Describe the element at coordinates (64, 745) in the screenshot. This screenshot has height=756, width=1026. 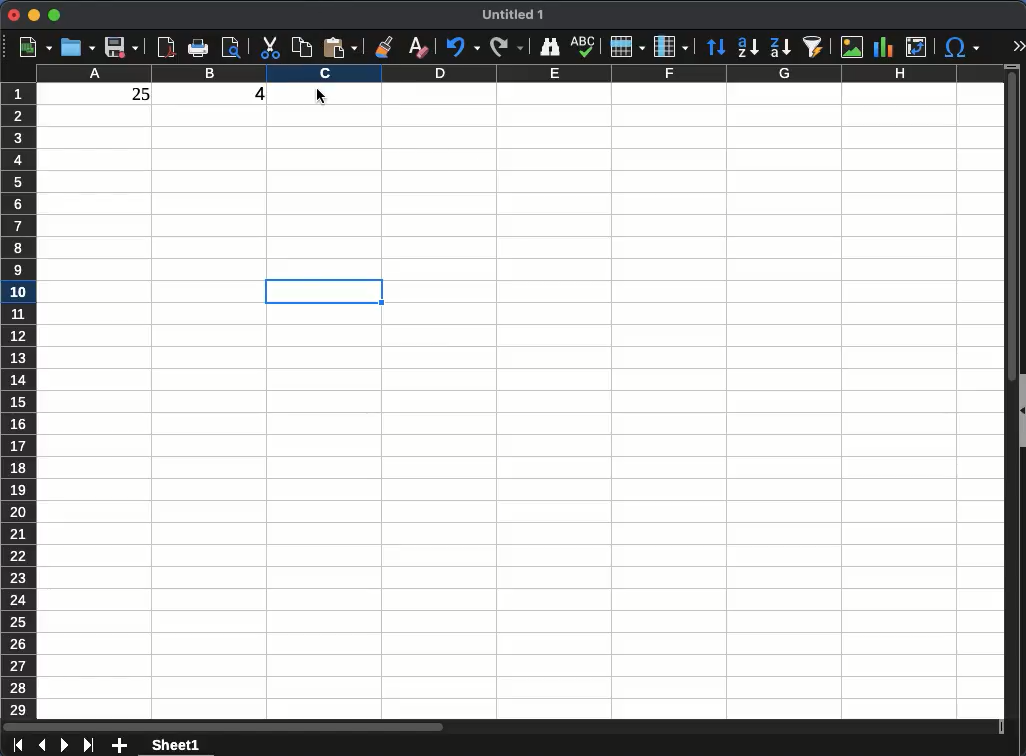
I see `next sheet` at that location.